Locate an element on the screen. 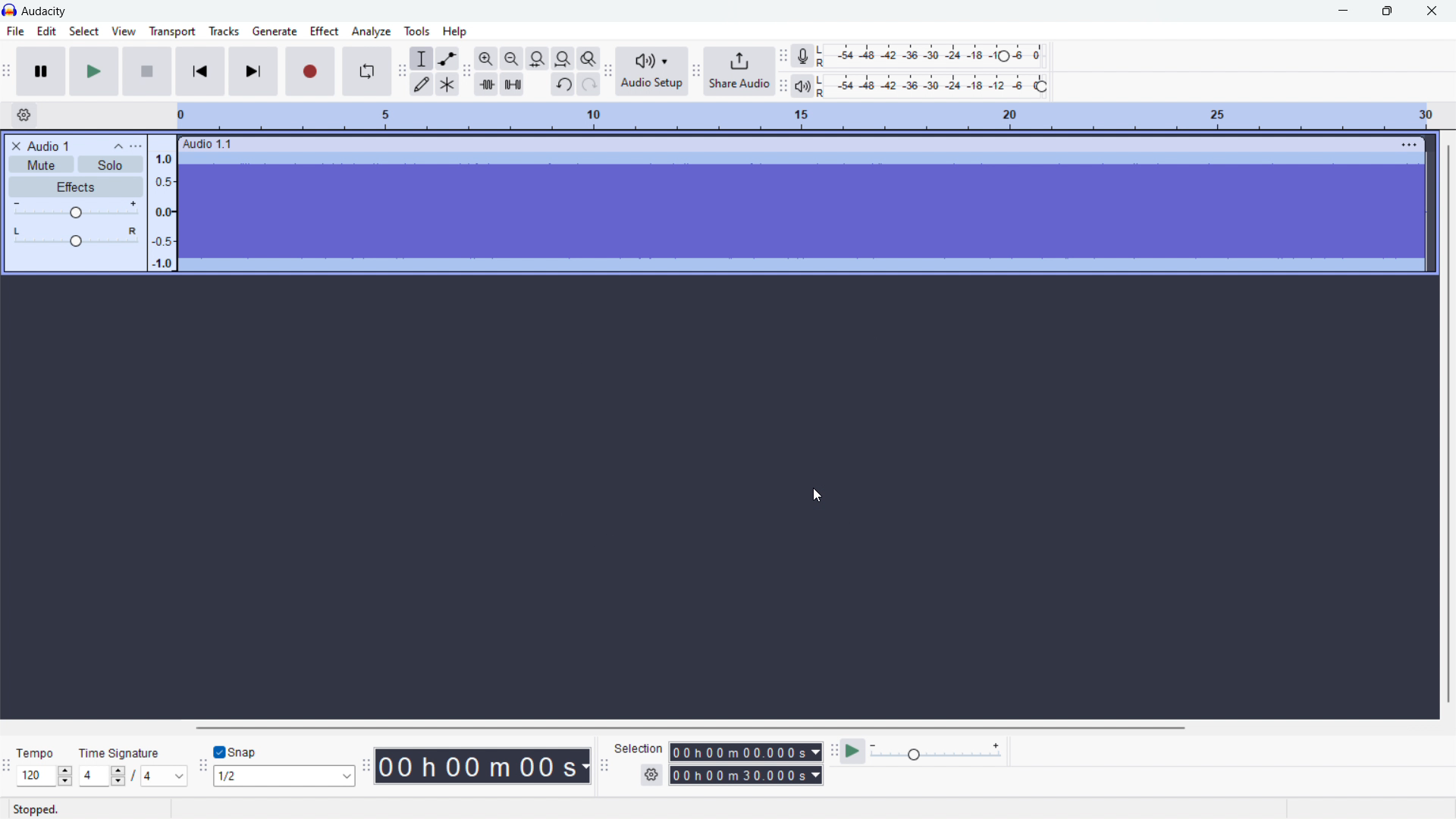 The height and width of the screenshot is (819, 1456). playback level is located at coordinates (941, 86).